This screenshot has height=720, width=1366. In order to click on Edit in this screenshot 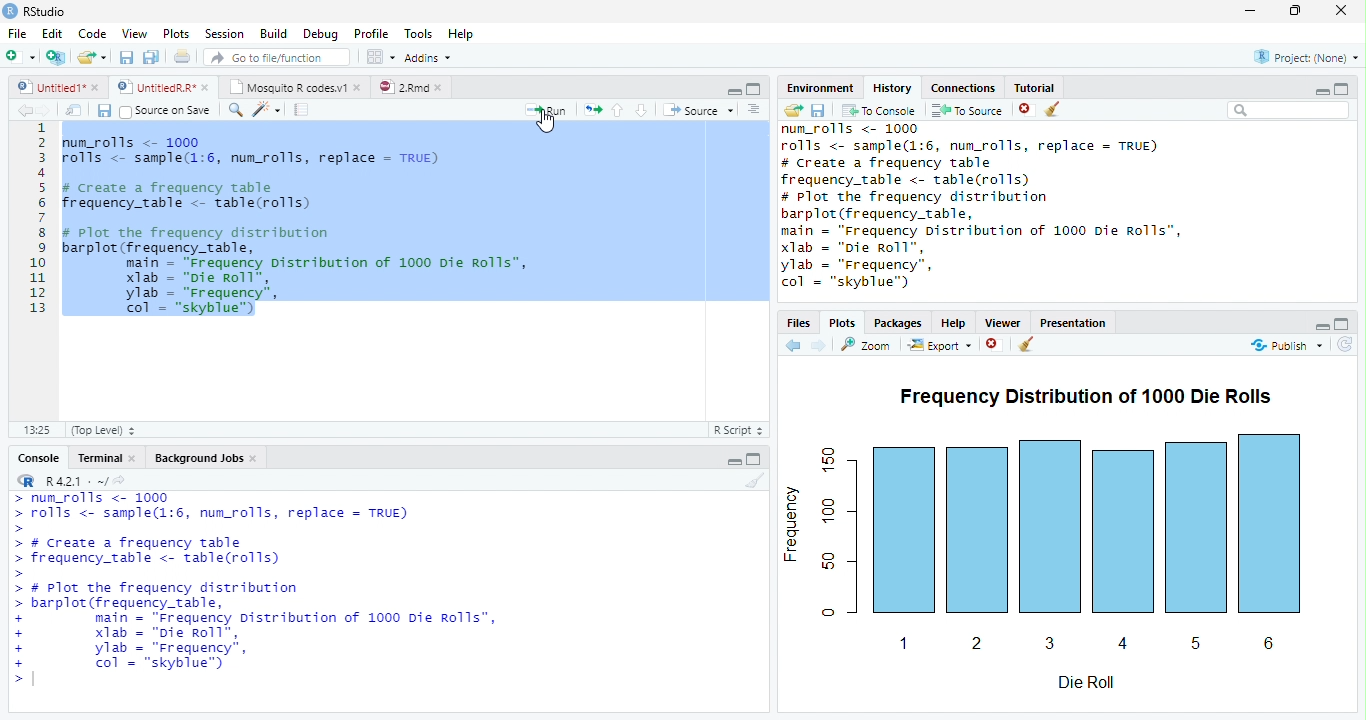, I will do `click(53, 31)`.